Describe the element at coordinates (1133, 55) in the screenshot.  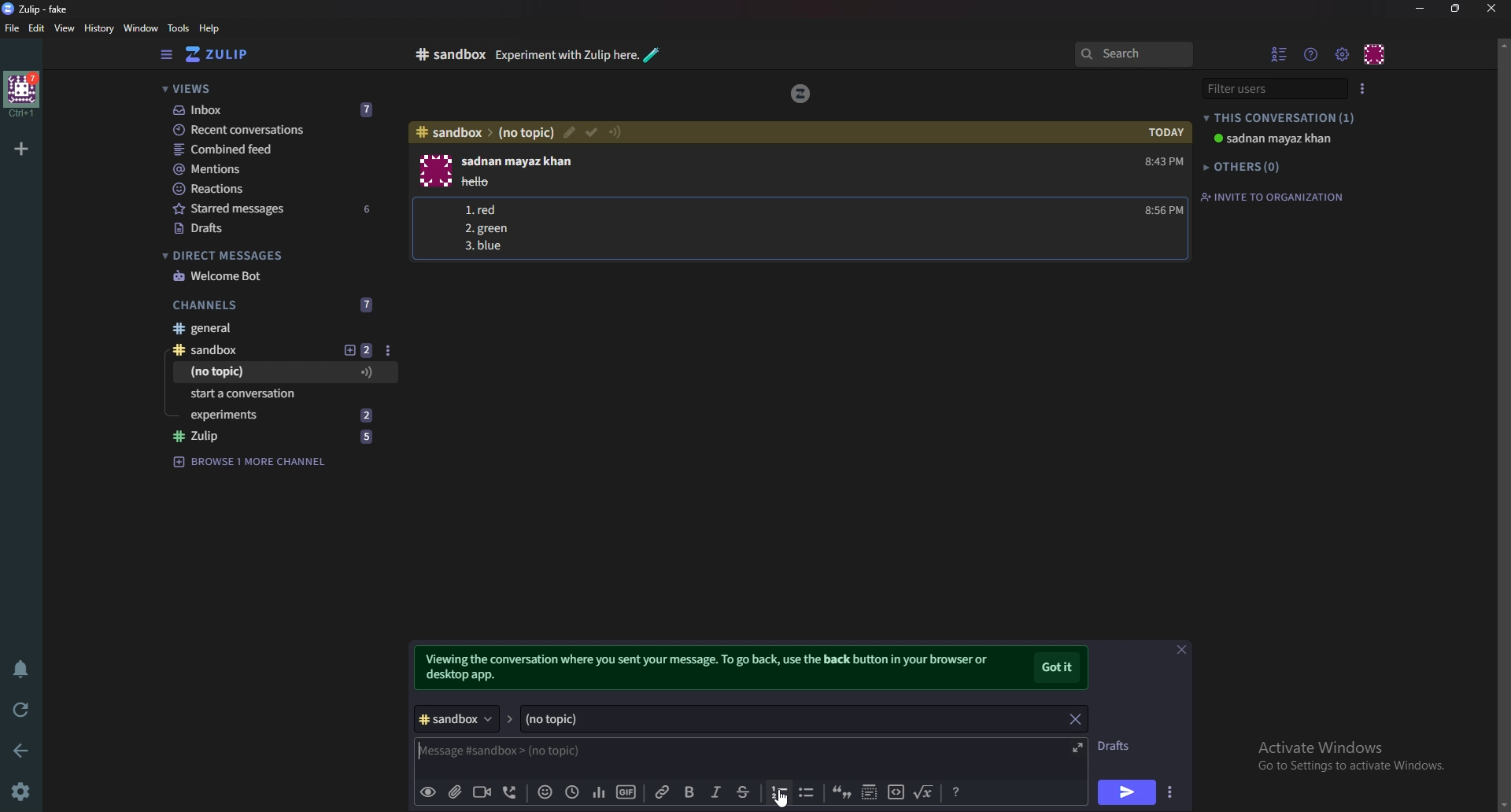
I see `search` at that location.